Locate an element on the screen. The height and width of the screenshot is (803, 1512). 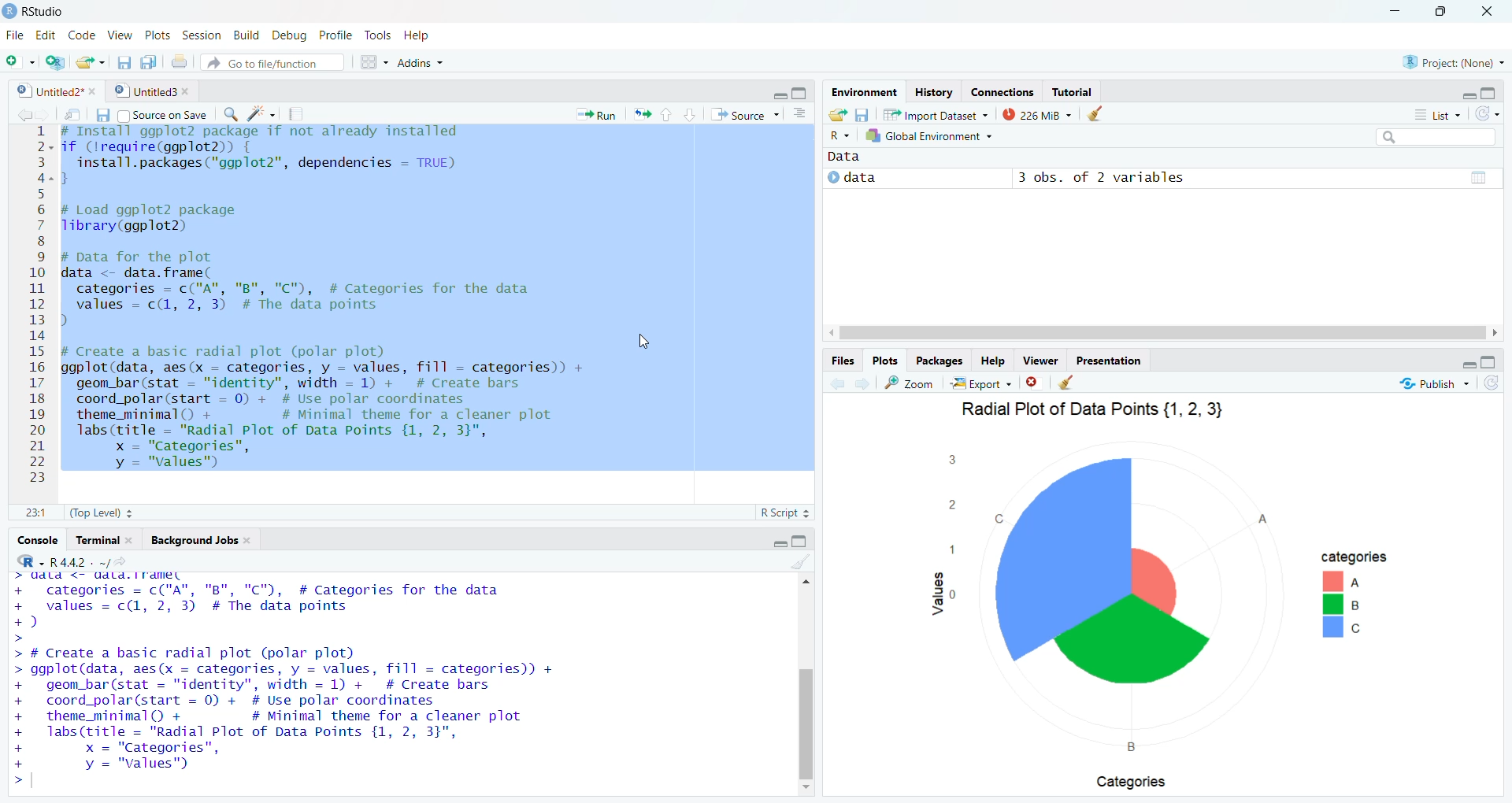
down is located at coordinates (691, 113).